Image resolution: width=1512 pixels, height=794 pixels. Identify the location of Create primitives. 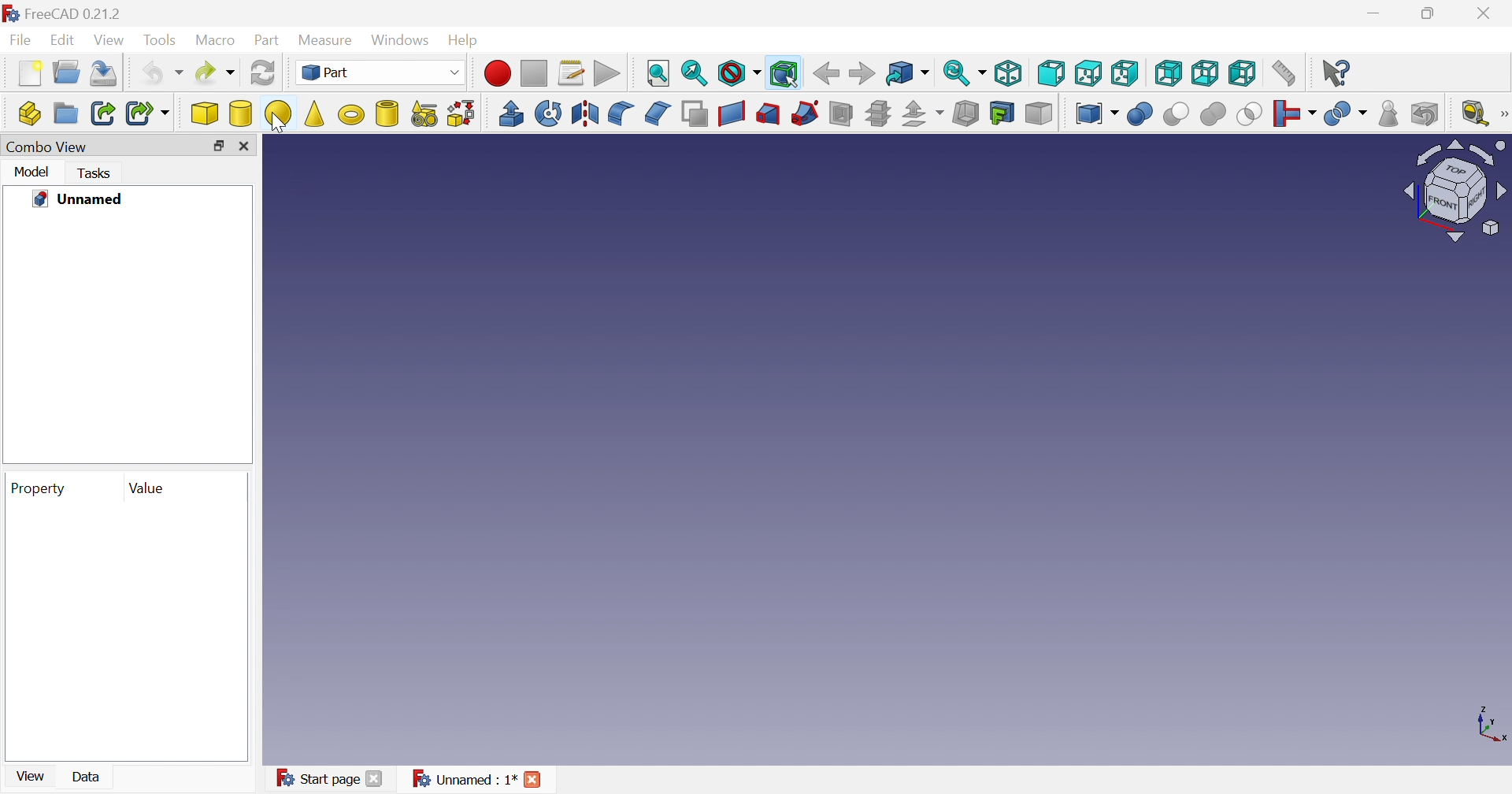
(424, 113).